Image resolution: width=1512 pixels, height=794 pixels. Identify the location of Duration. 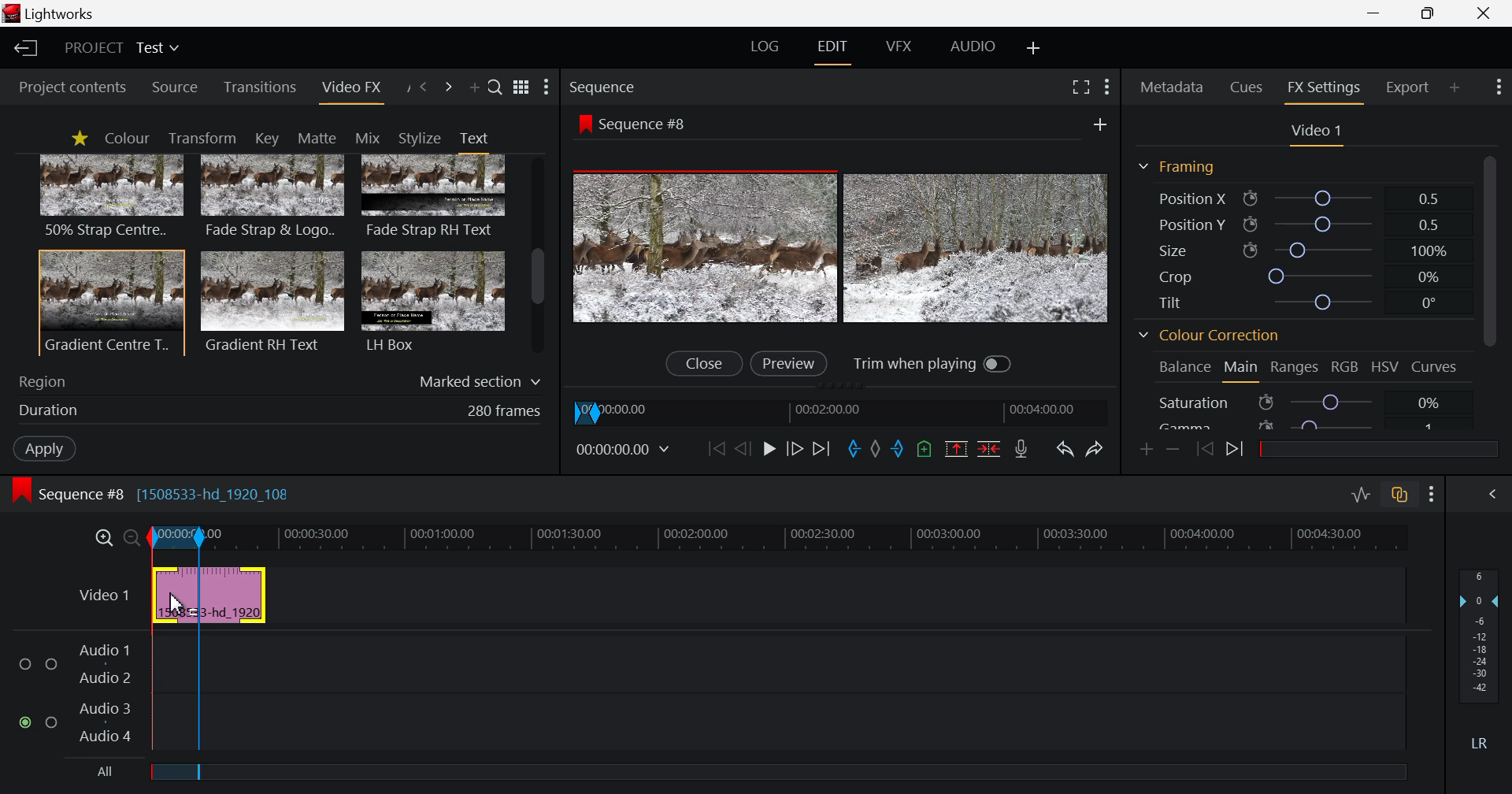
(276, 410).